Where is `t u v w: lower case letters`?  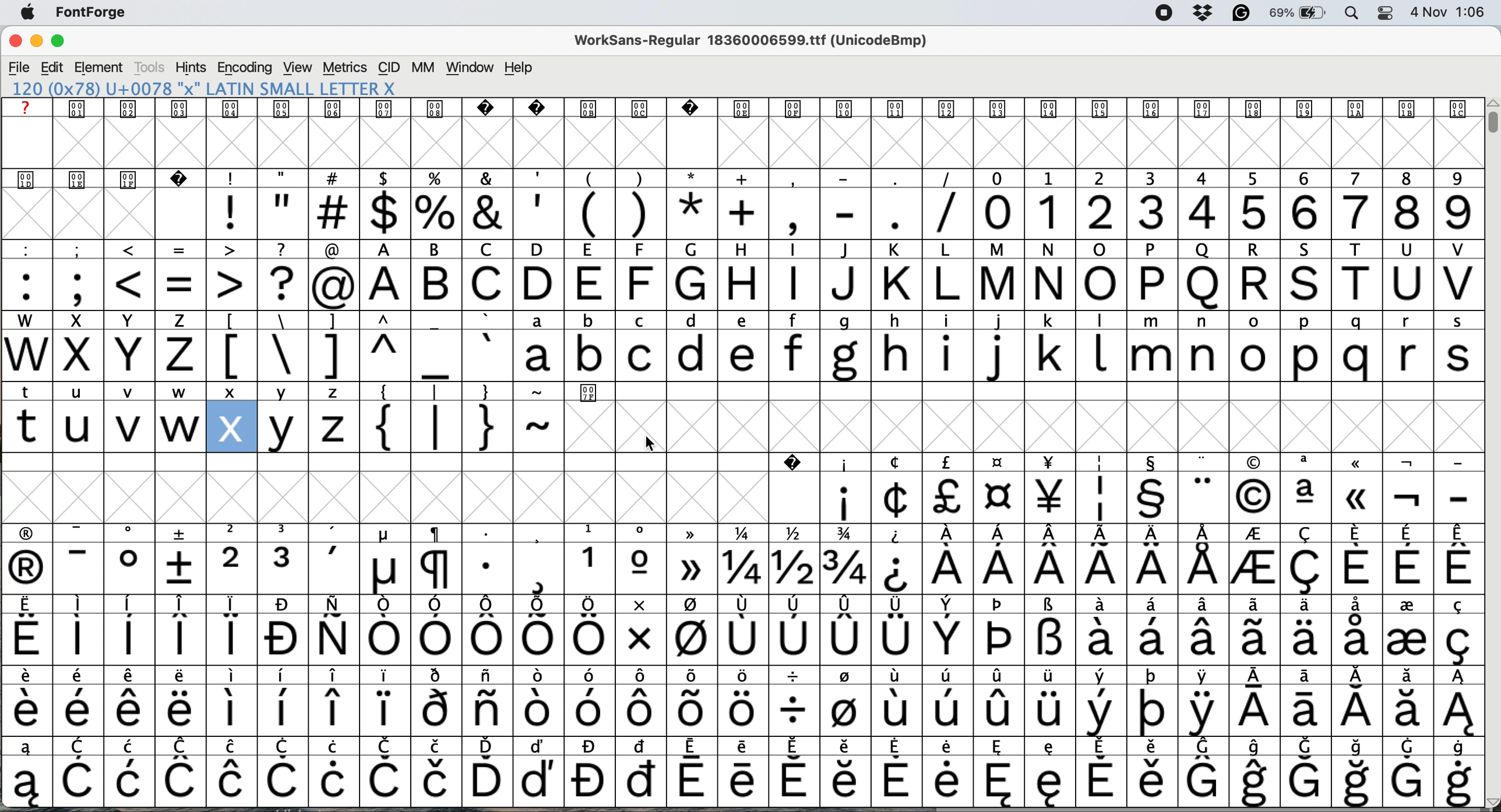 t u v w: lower case letters is located at coordinates (106, 428).